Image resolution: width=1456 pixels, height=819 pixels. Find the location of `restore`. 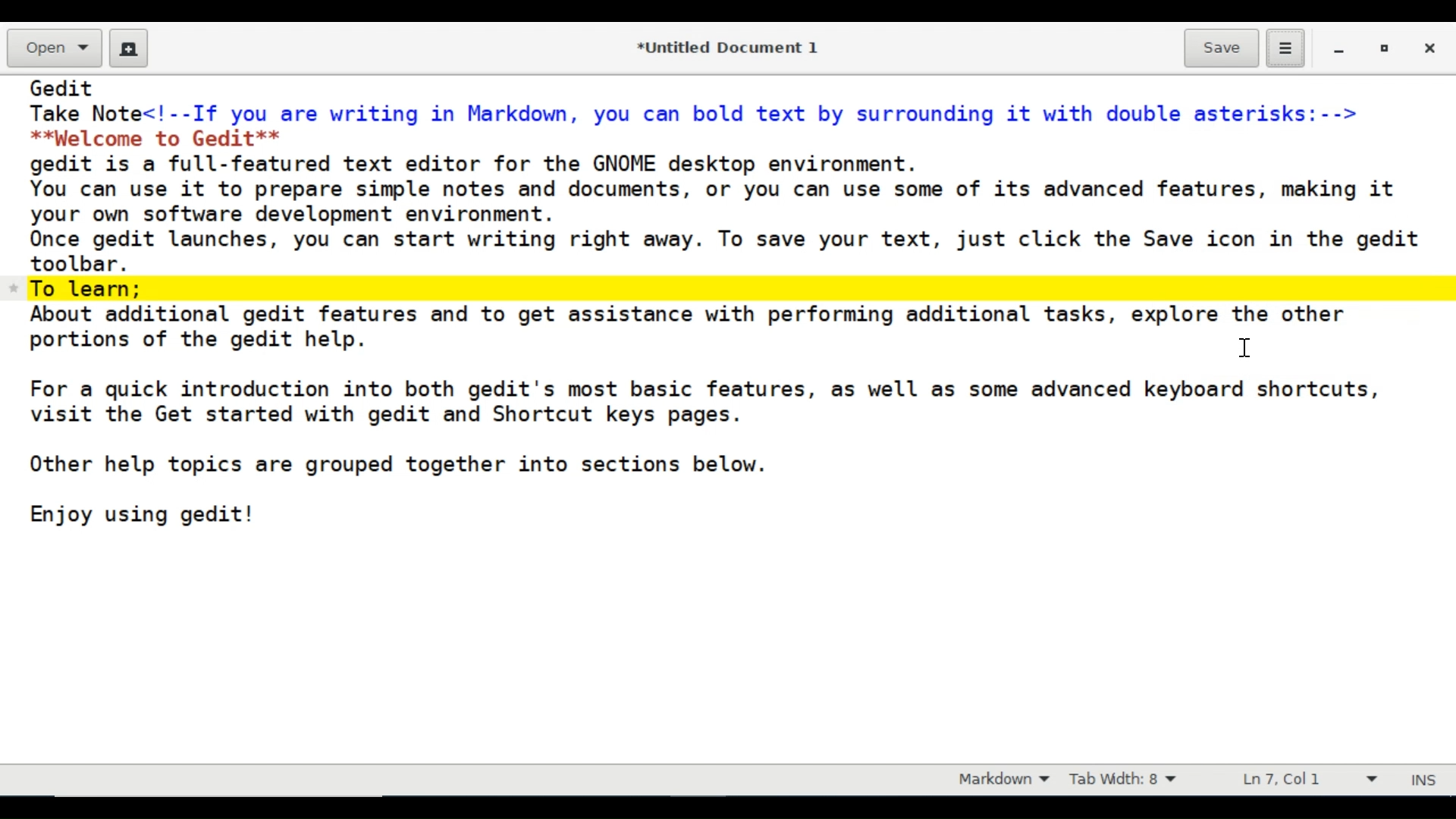

restore is located at coordinates (1386, 51).